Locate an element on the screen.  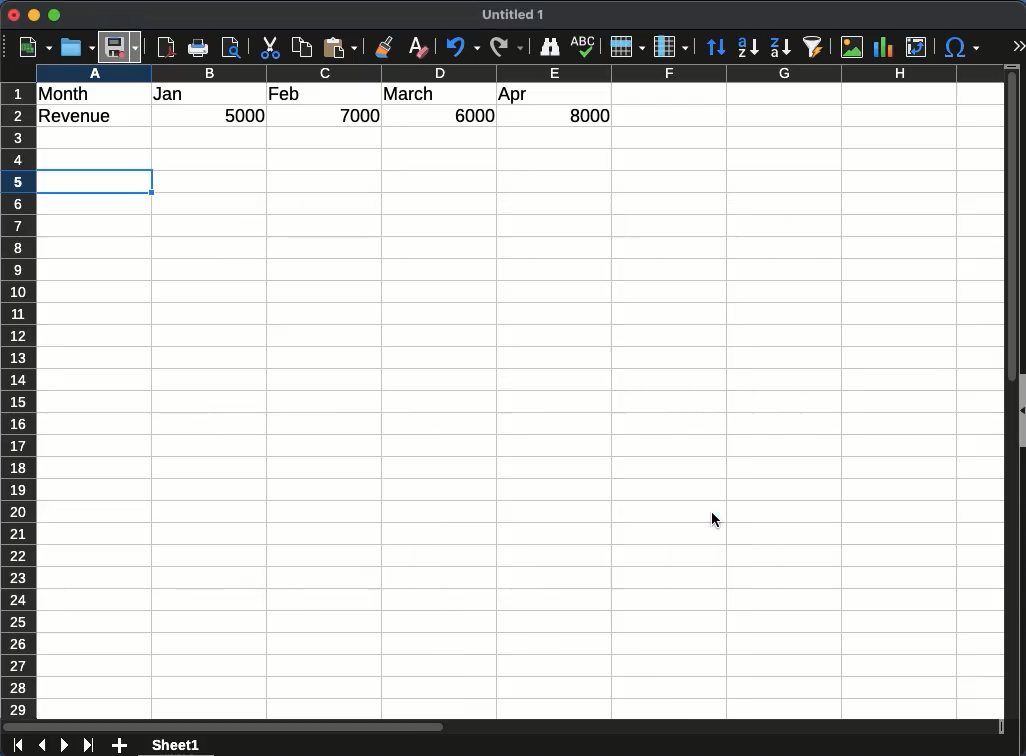
6000 is located at coordinates (469, 116).